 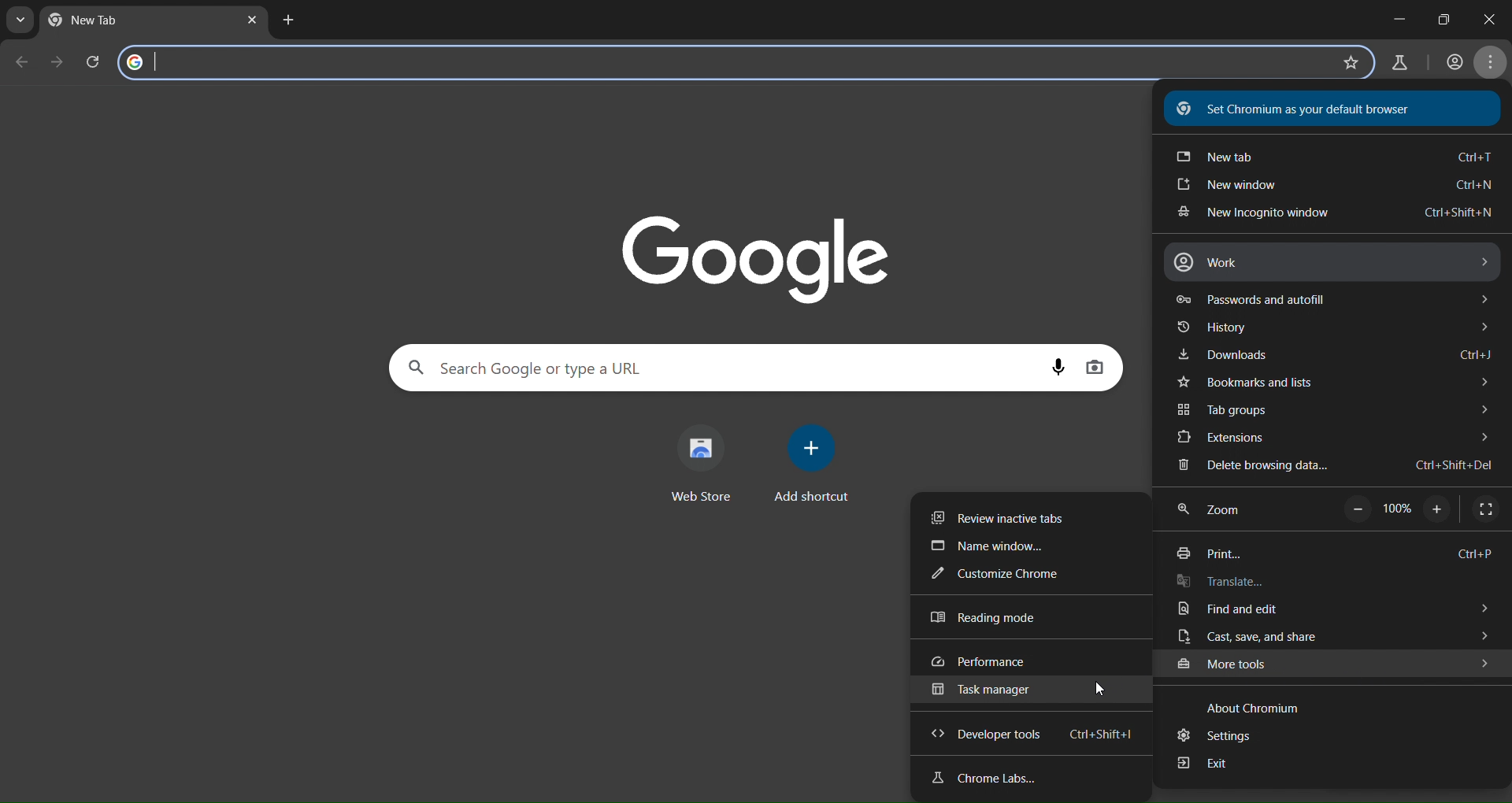 What do you see at coordinates (1340, 412) in the screenshot?
I see `tab groups` at bounding box center [1340, 412].